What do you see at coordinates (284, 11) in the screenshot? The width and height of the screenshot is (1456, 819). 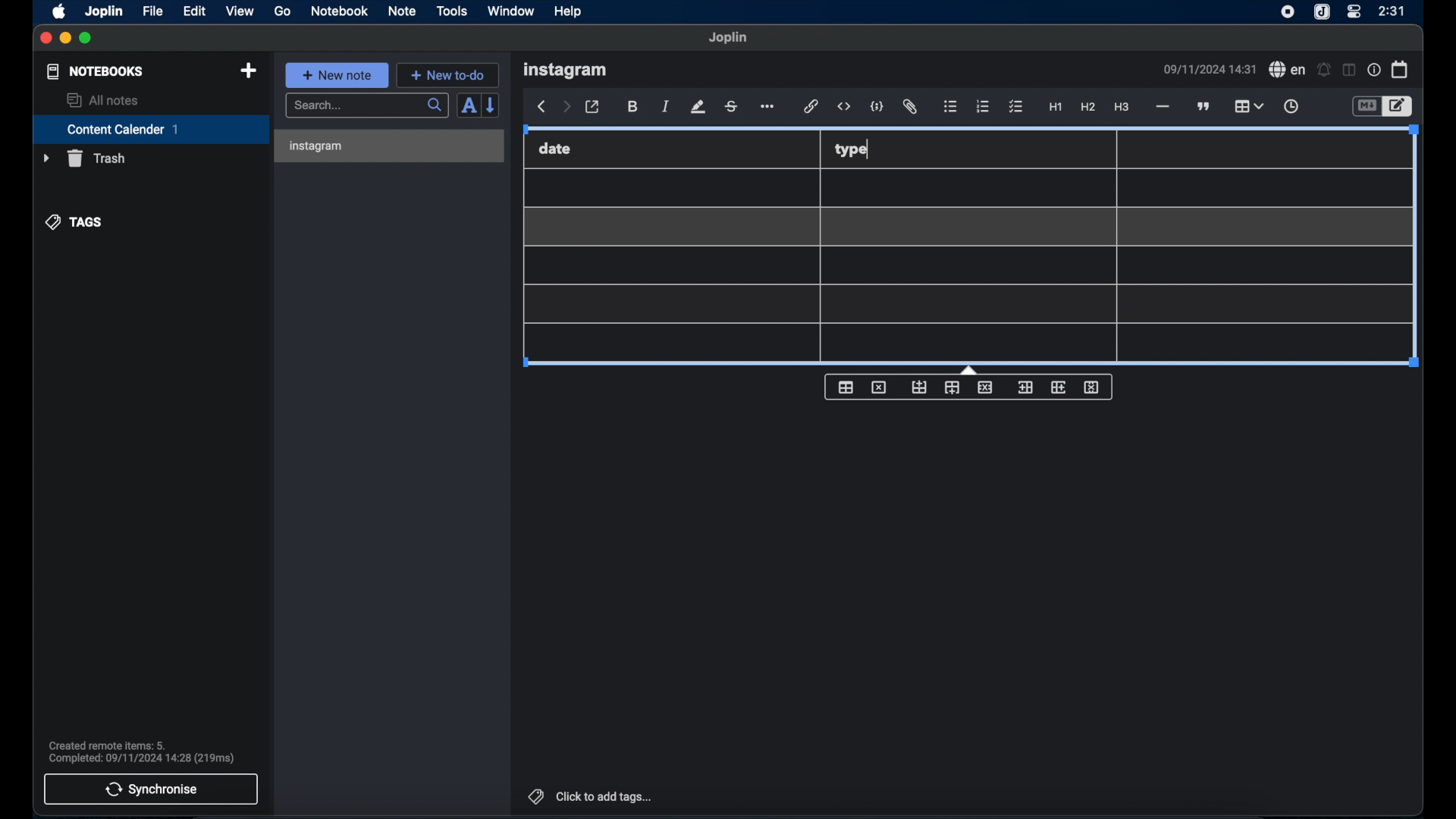 I see `go` at bounding box center [284, 11].